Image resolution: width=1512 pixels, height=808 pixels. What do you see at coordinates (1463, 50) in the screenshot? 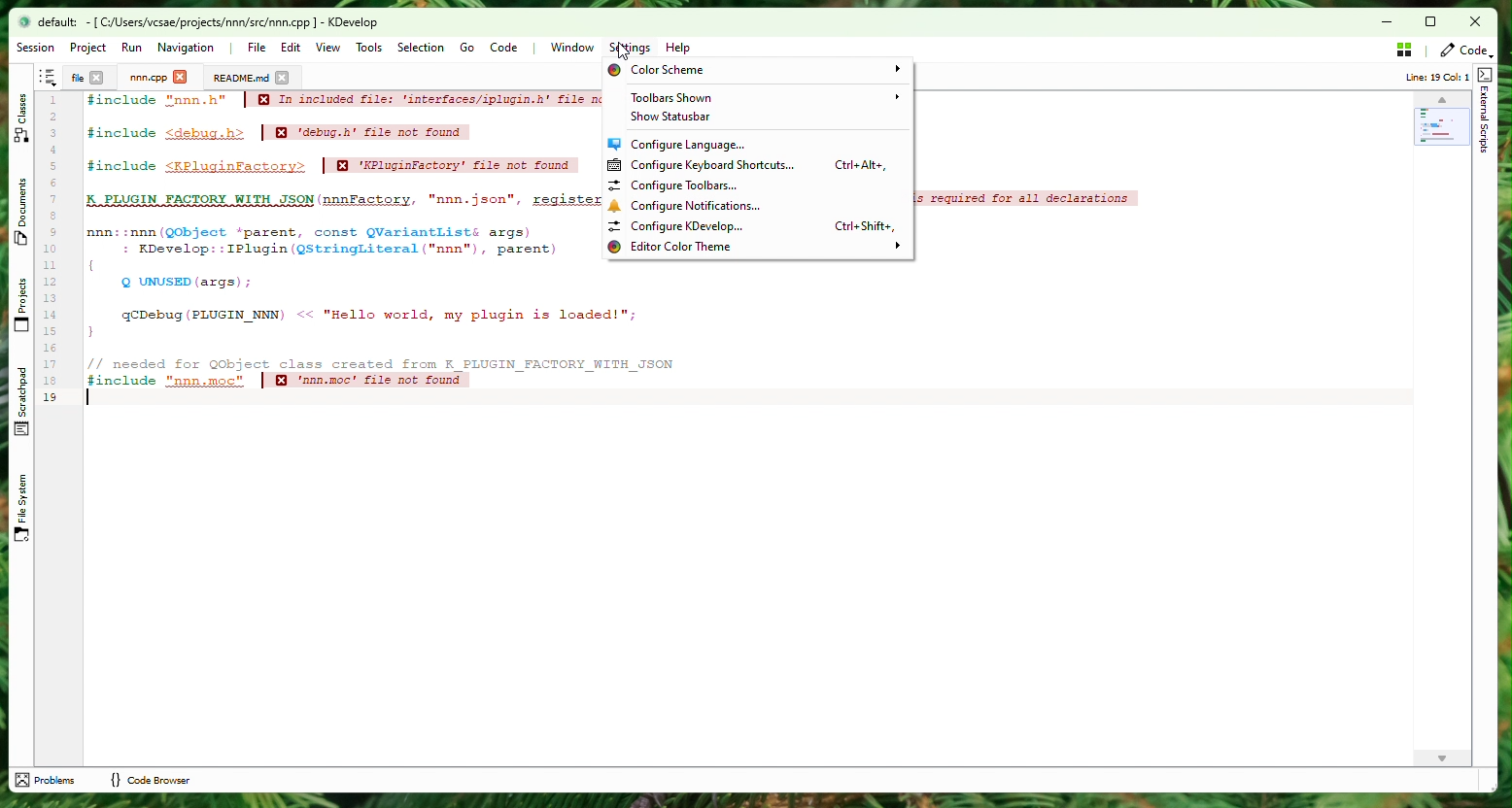
I see `Code` at bounding box center [1463, 50].